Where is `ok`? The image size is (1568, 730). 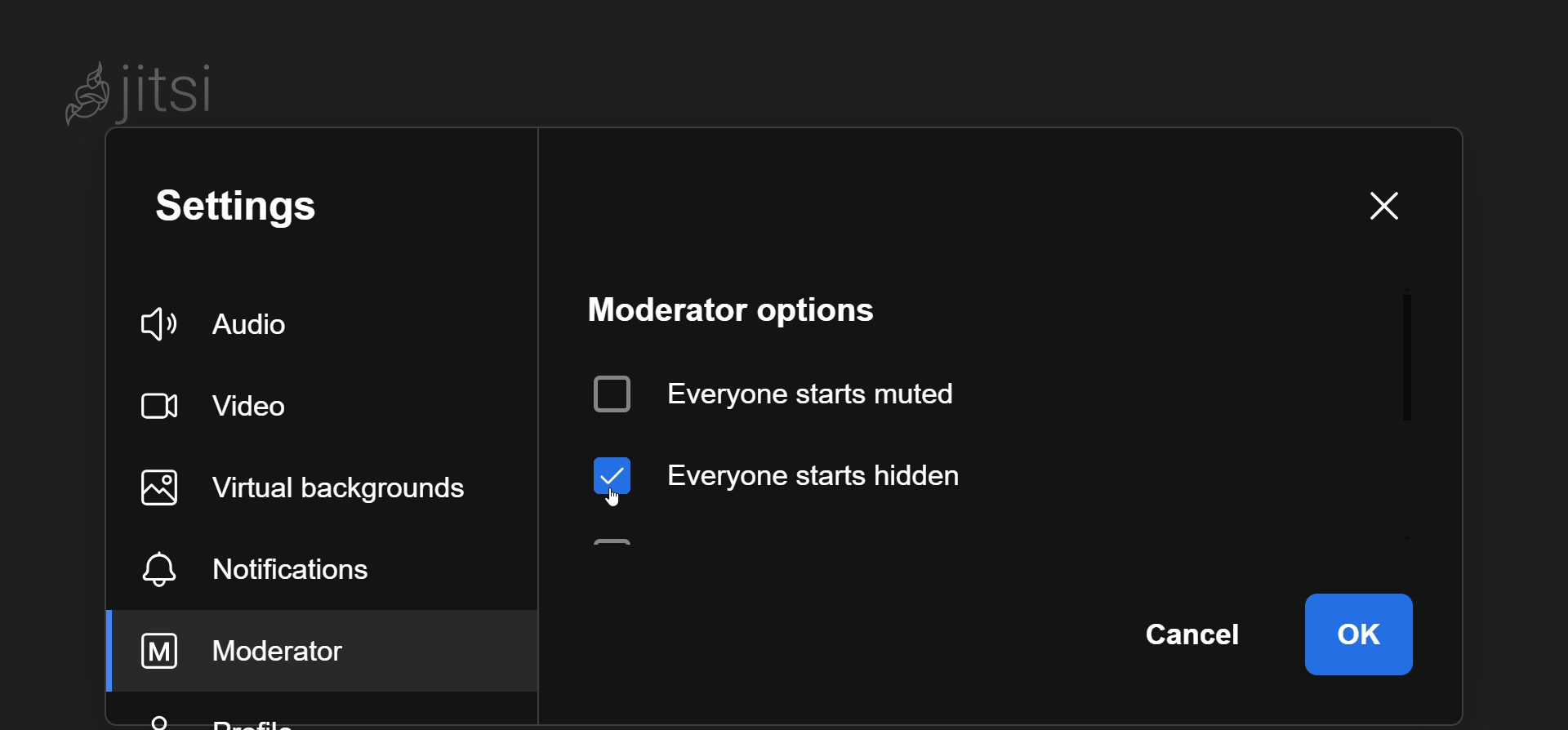
ok is located at coordinates (1359, 631).